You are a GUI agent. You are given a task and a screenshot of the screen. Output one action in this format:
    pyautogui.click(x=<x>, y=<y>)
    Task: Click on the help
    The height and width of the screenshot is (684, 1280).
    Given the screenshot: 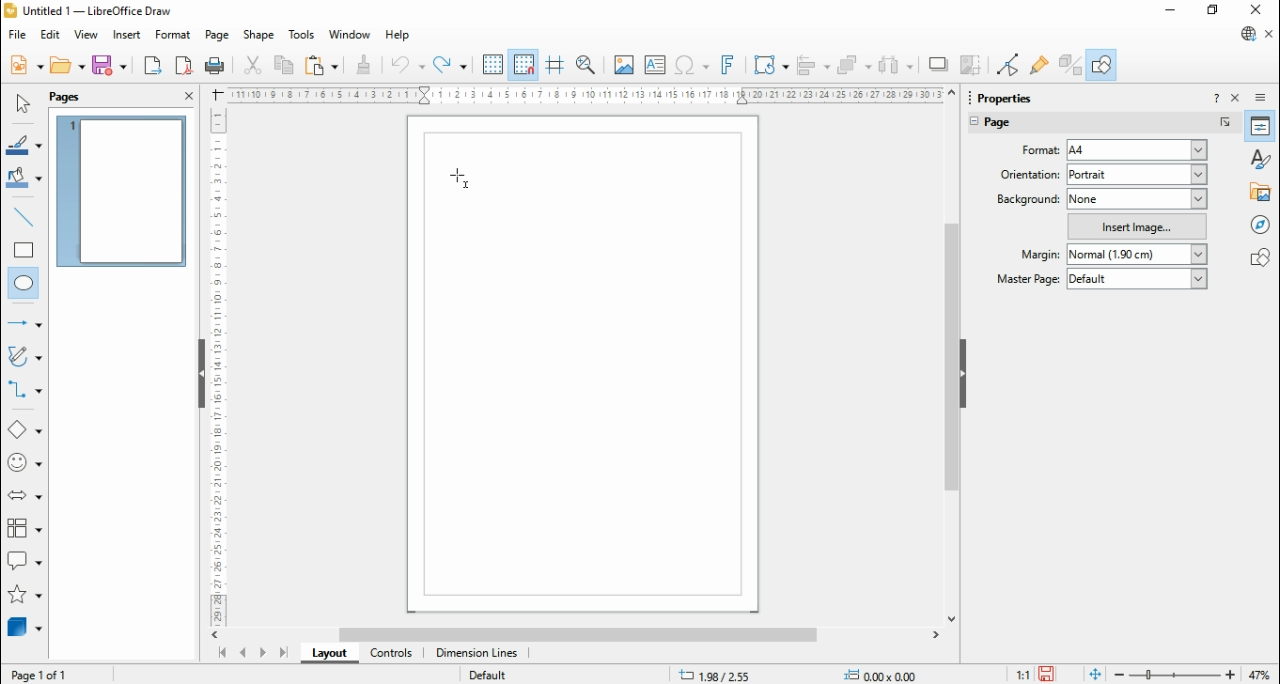 What is the action you would take?
    pyautogui.click(x=398, y=36)
    